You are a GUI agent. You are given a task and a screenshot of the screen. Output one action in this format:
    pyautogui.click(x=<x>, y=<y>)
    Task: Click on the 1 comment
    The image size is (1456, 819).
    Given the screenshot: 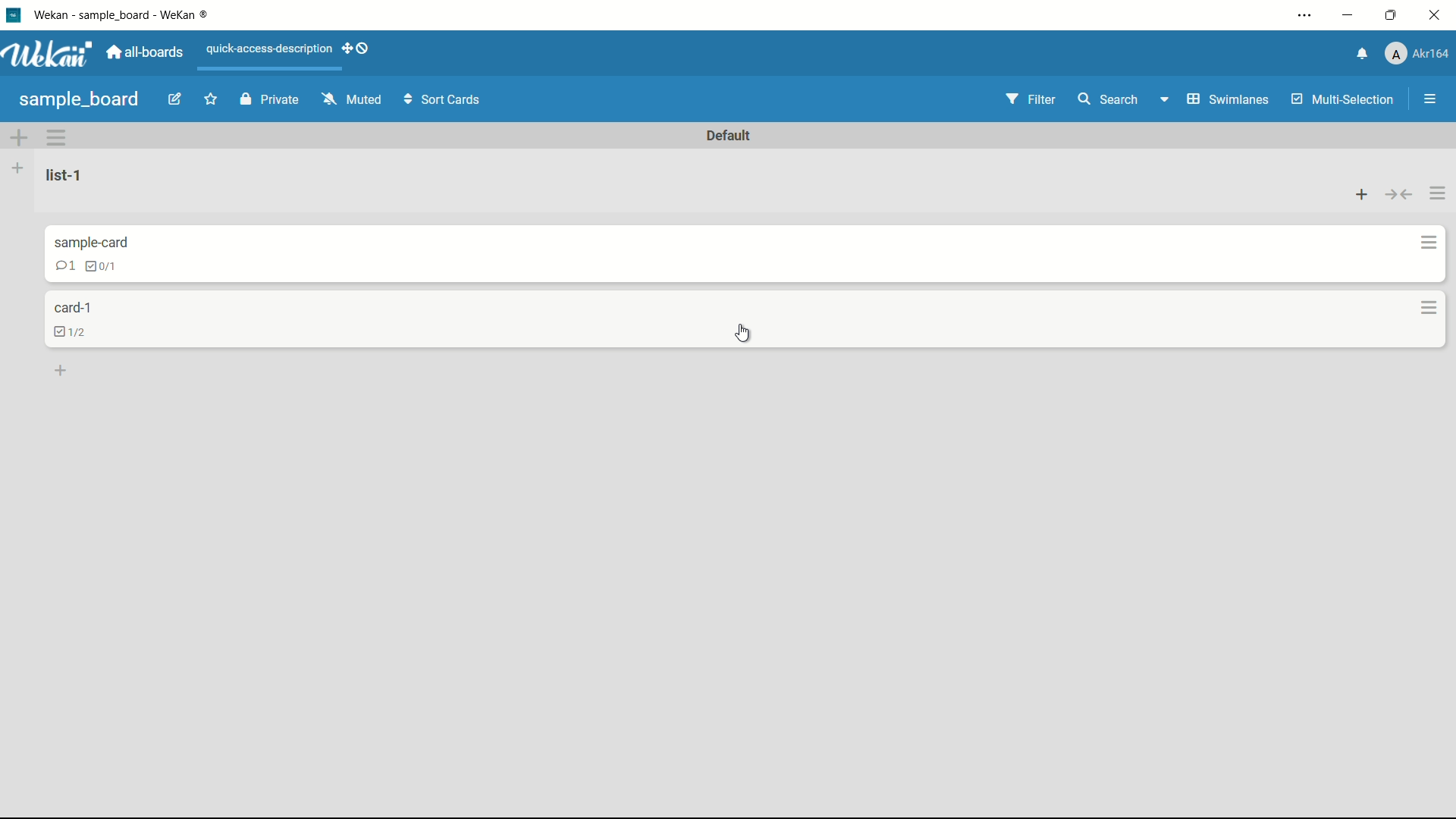 What is the action you would take?
    pyautogui.click(x=64, y=266)
    